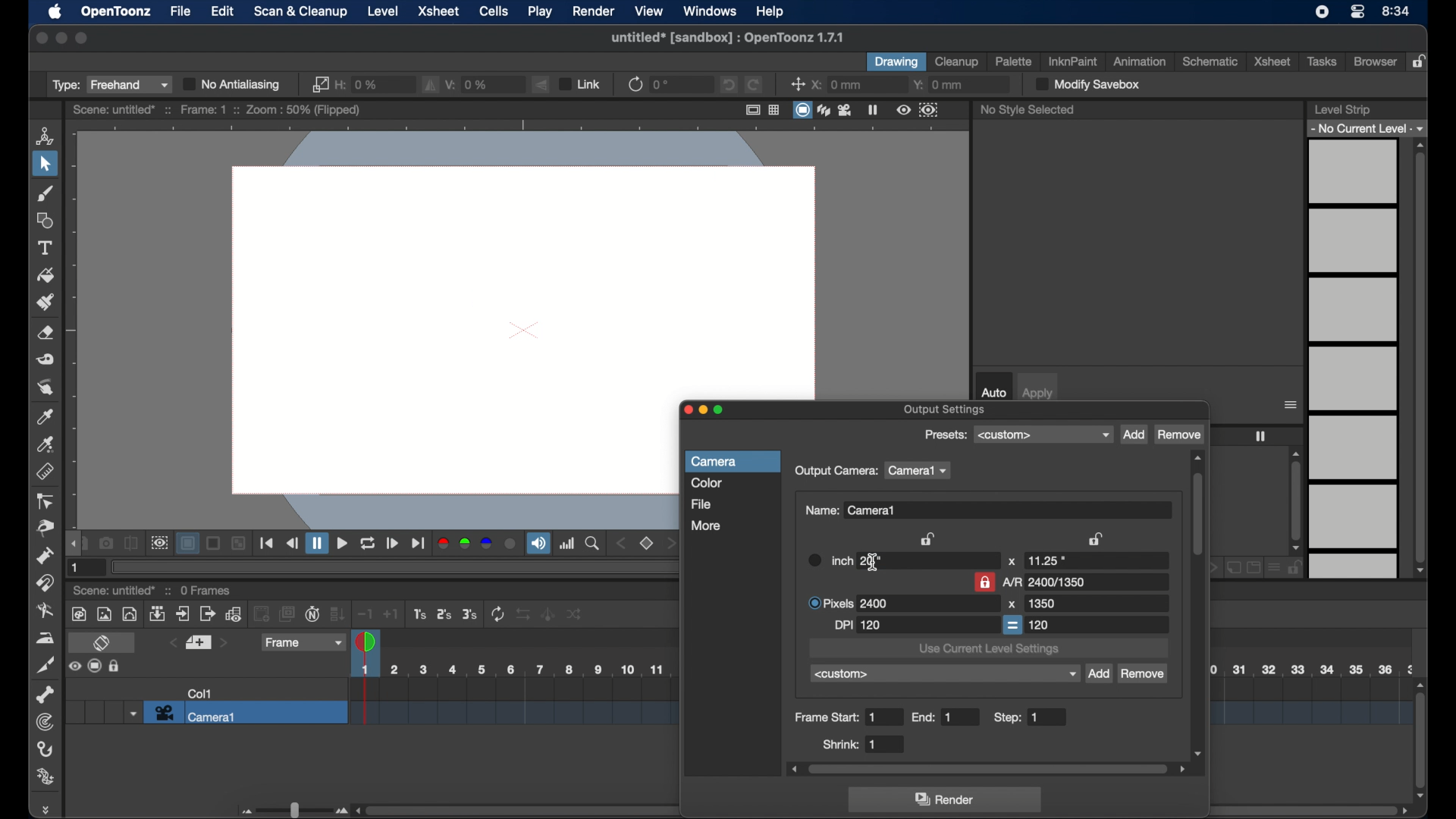 The width and height of the screenshot is (1456, 819). I want to click on toggle xsheet, so click(104, 644).